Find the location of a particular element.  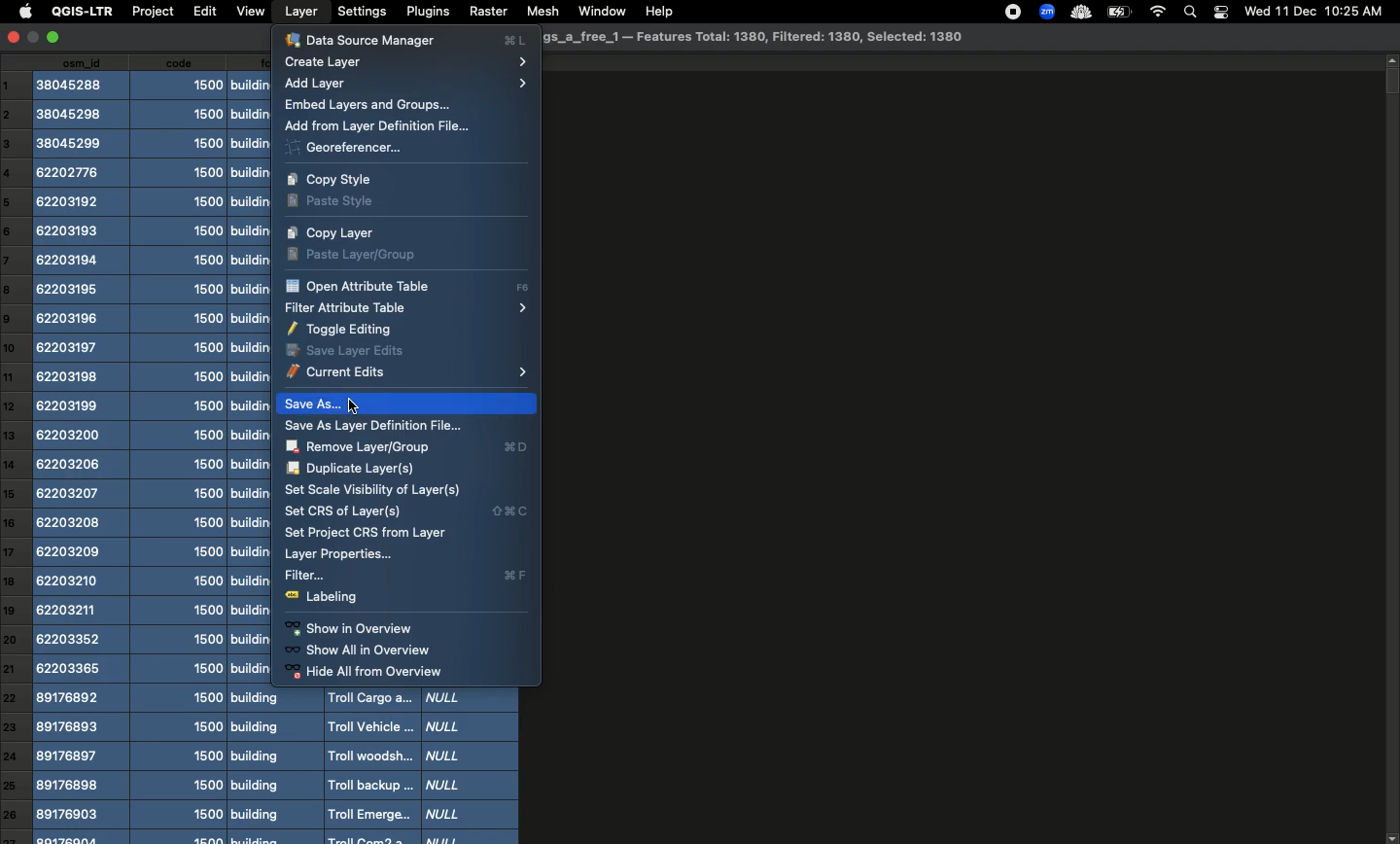

Filter is located at coordinates (408, 577).